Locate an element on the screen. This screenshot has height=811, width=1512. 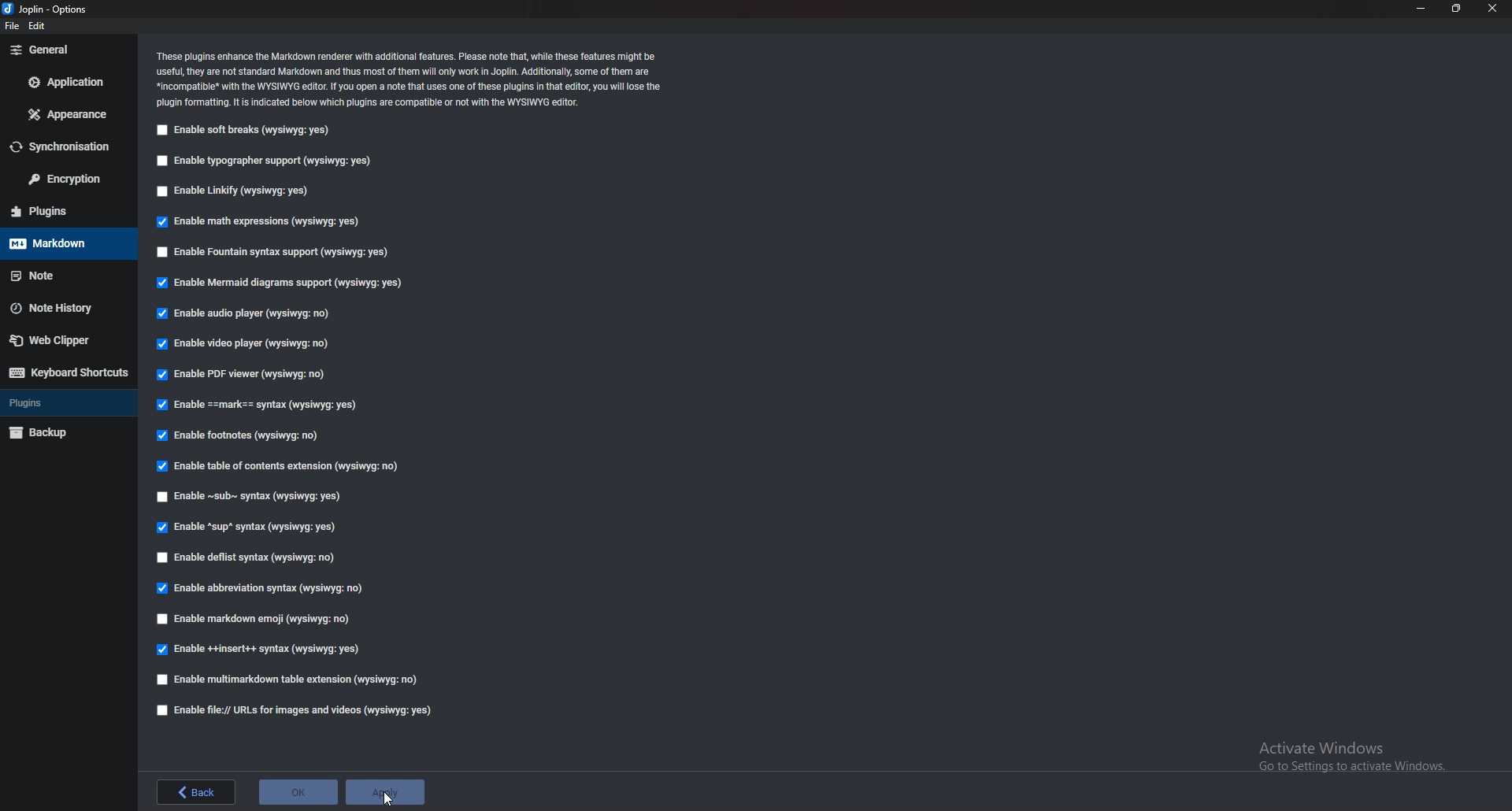
Enable deflist syntax is located at coordinates (250, 554).